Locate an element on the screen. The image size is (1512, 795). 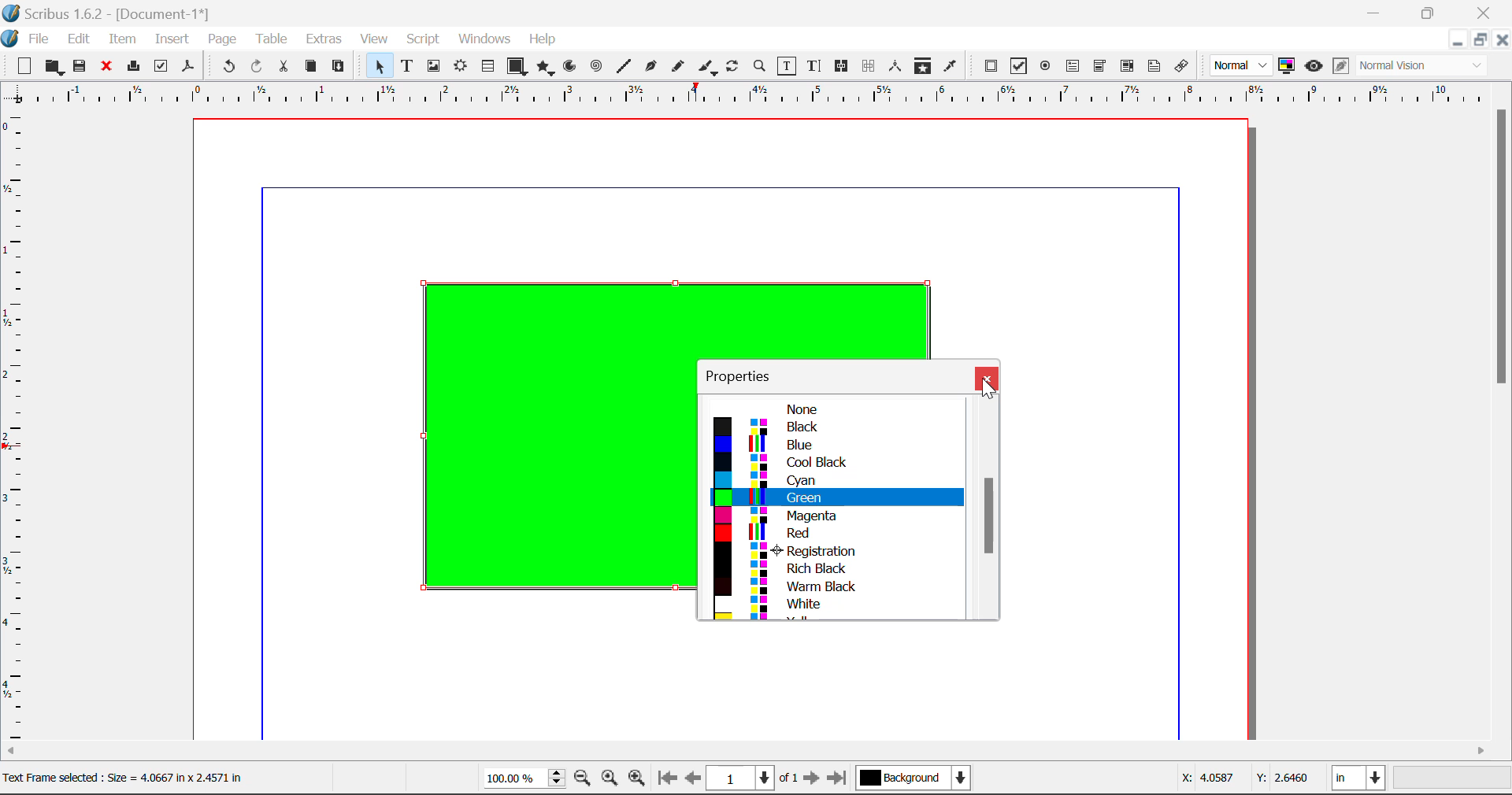
Print is located at coordinates (132, 67).